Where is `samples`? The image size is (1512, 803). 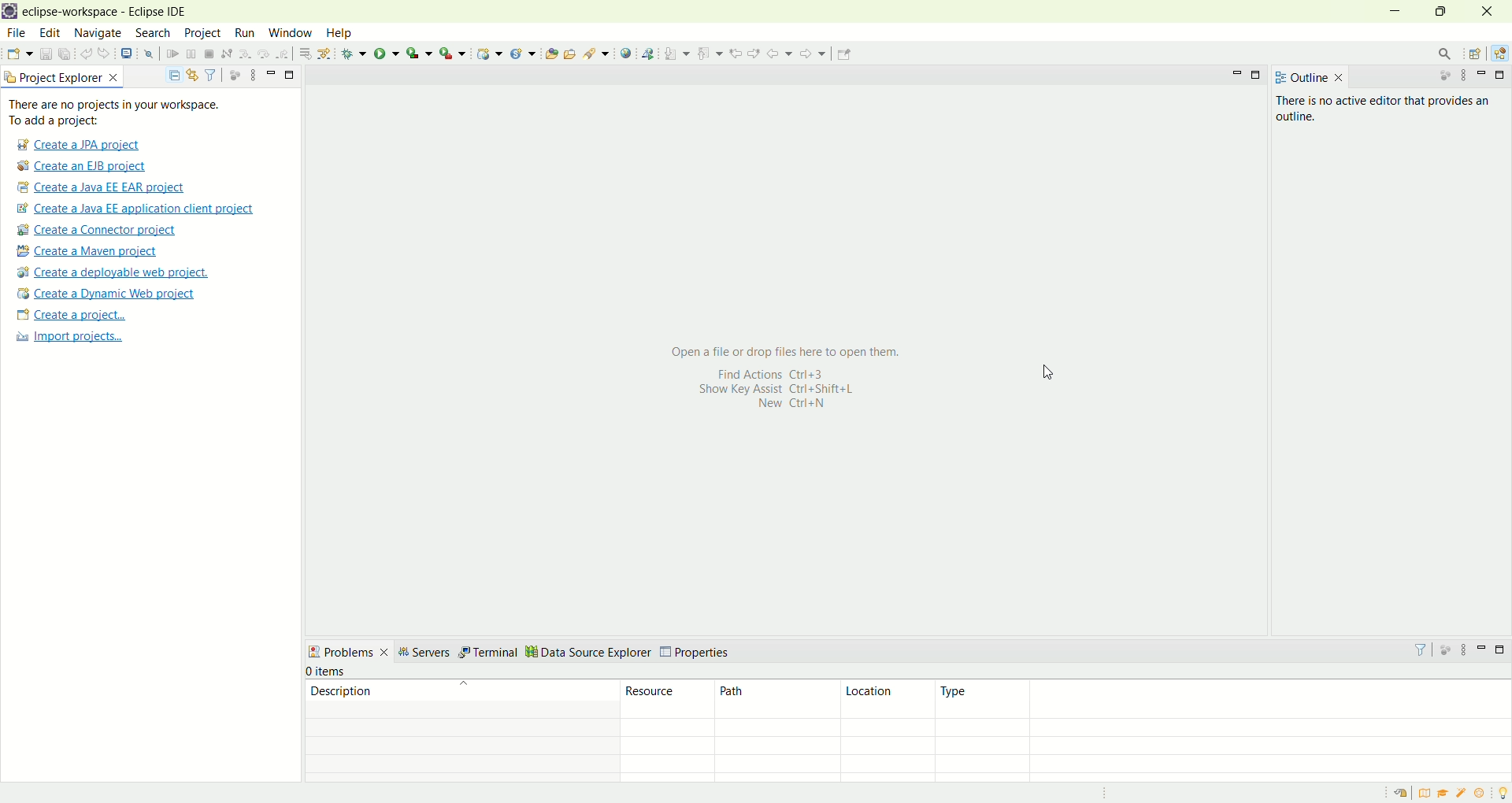 samples is located at coordinates (1466, 794).